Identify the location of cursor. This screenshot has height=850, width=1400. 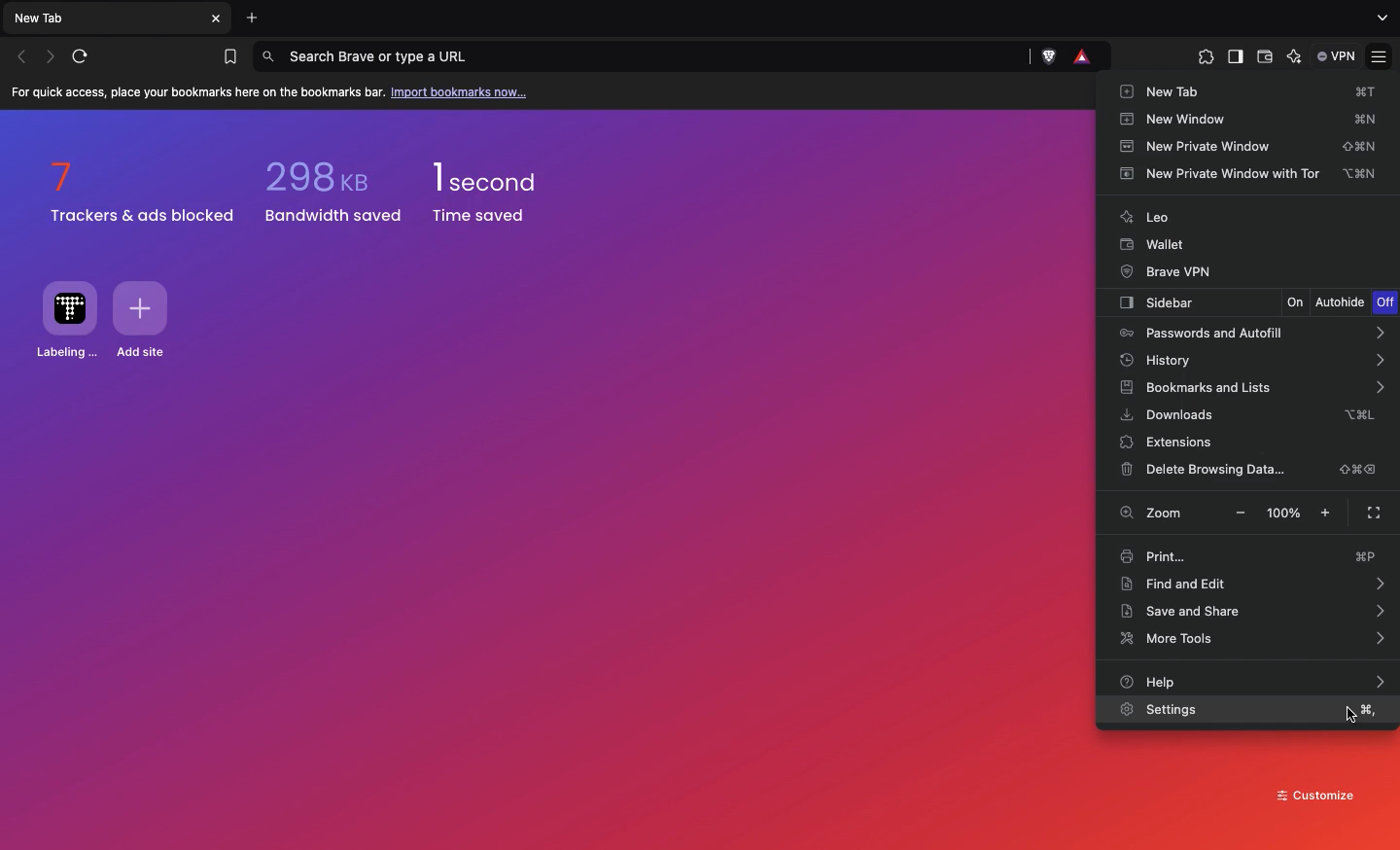
(1347, 717).